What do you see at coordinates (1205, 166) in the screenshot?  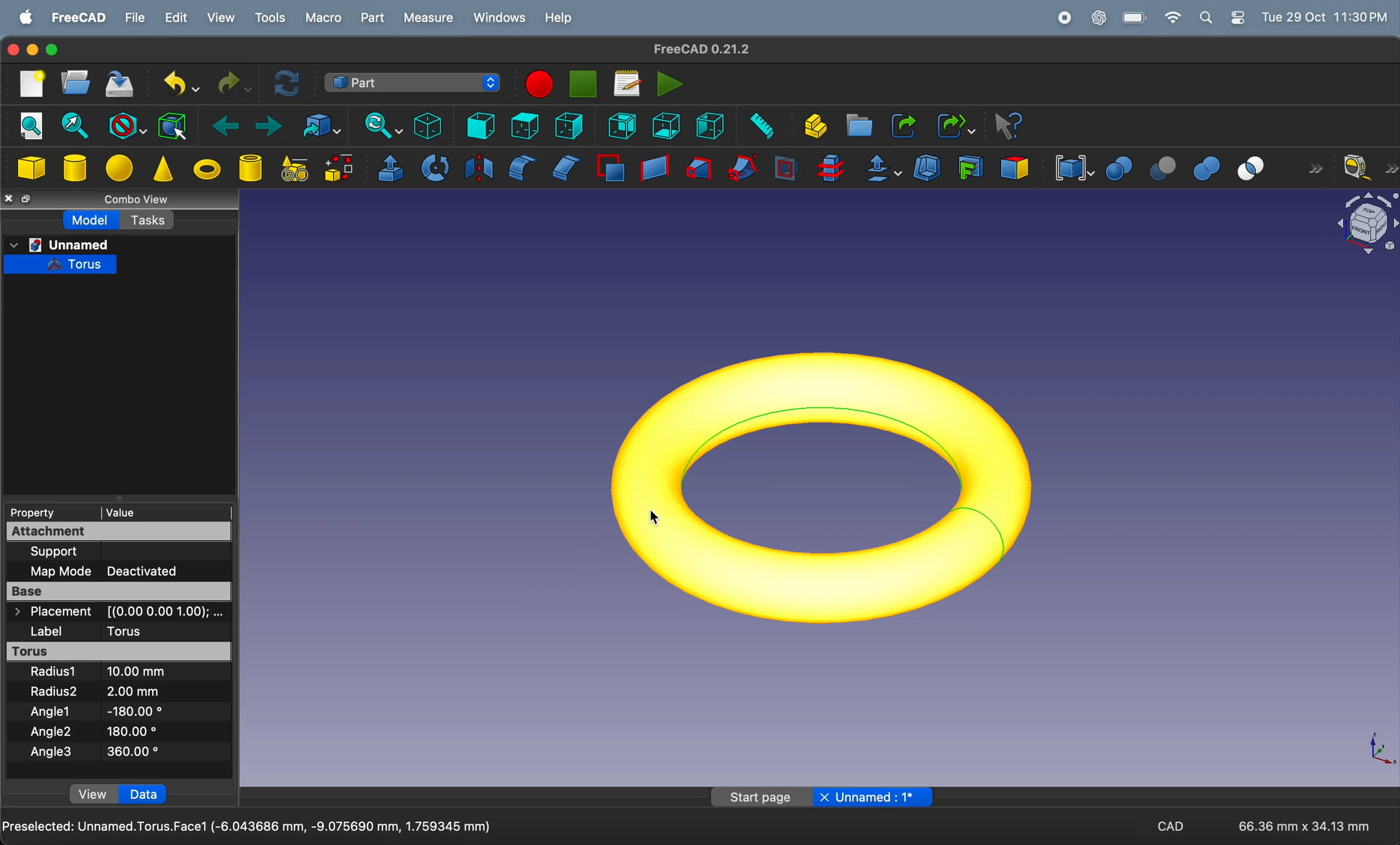 I see `union` at bounding box center [1205, 166].